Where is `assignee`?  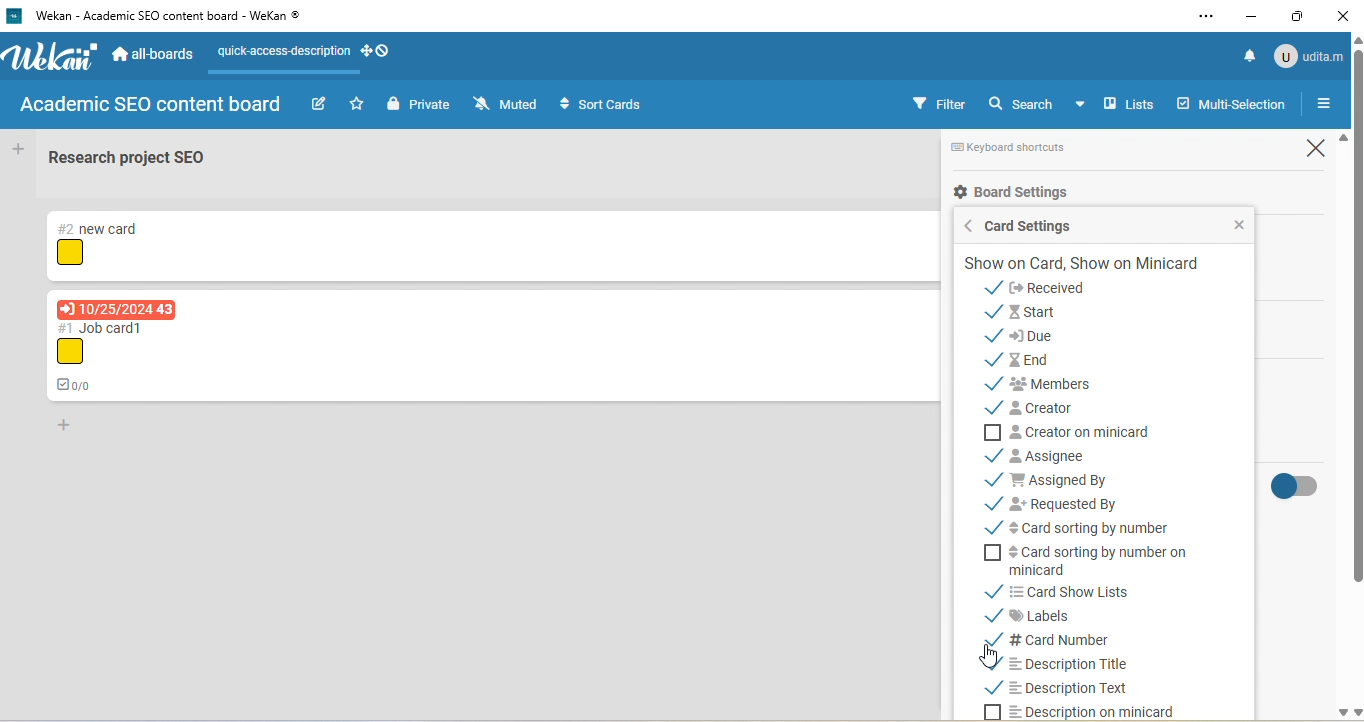
assignee is located at coordinates (1050, 455).